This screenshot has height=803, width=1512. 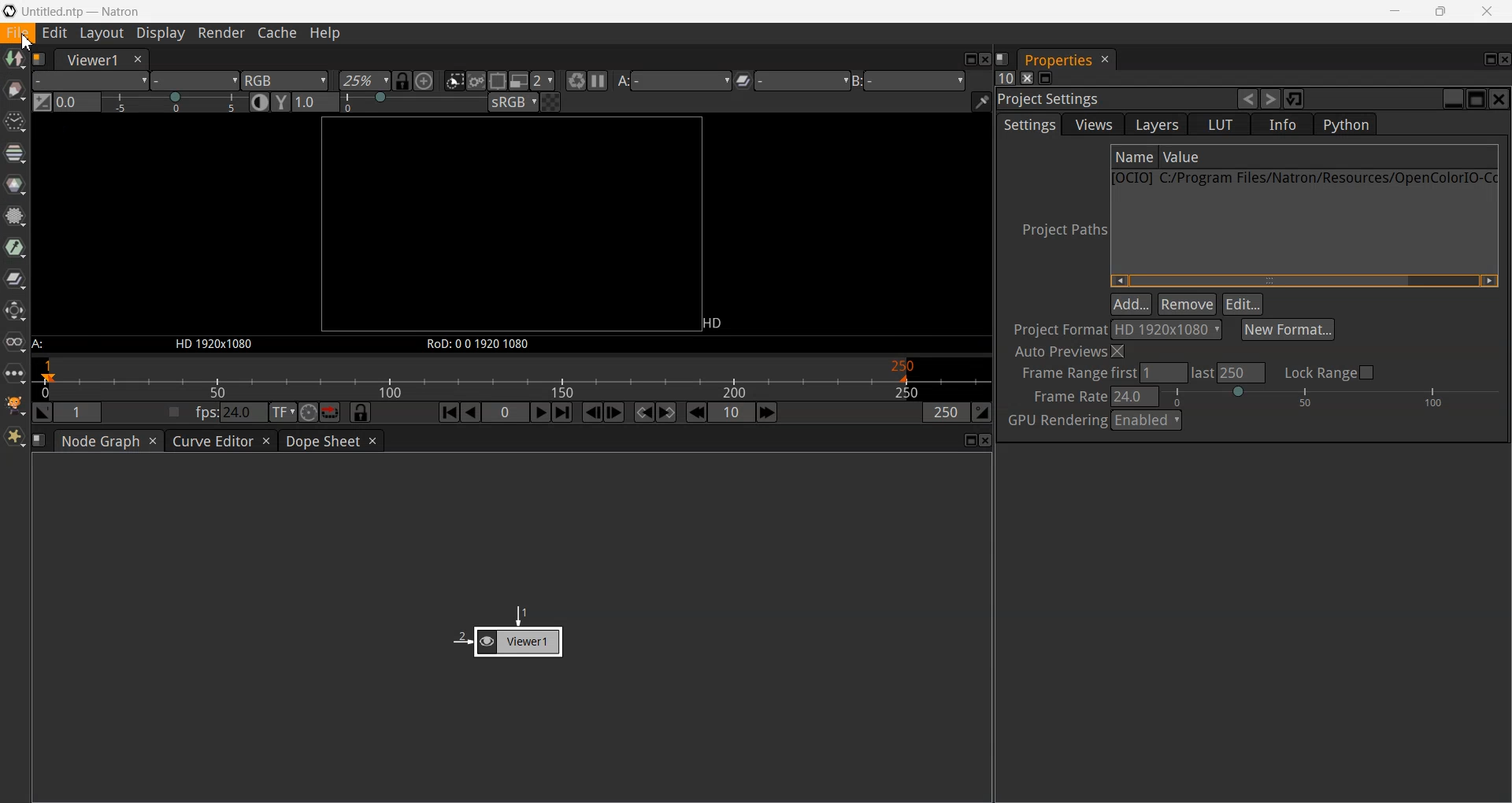 What do you see at coordinates (476, 80) in the screenshot?
I see `Render the image` at bounding box center [476, 80].